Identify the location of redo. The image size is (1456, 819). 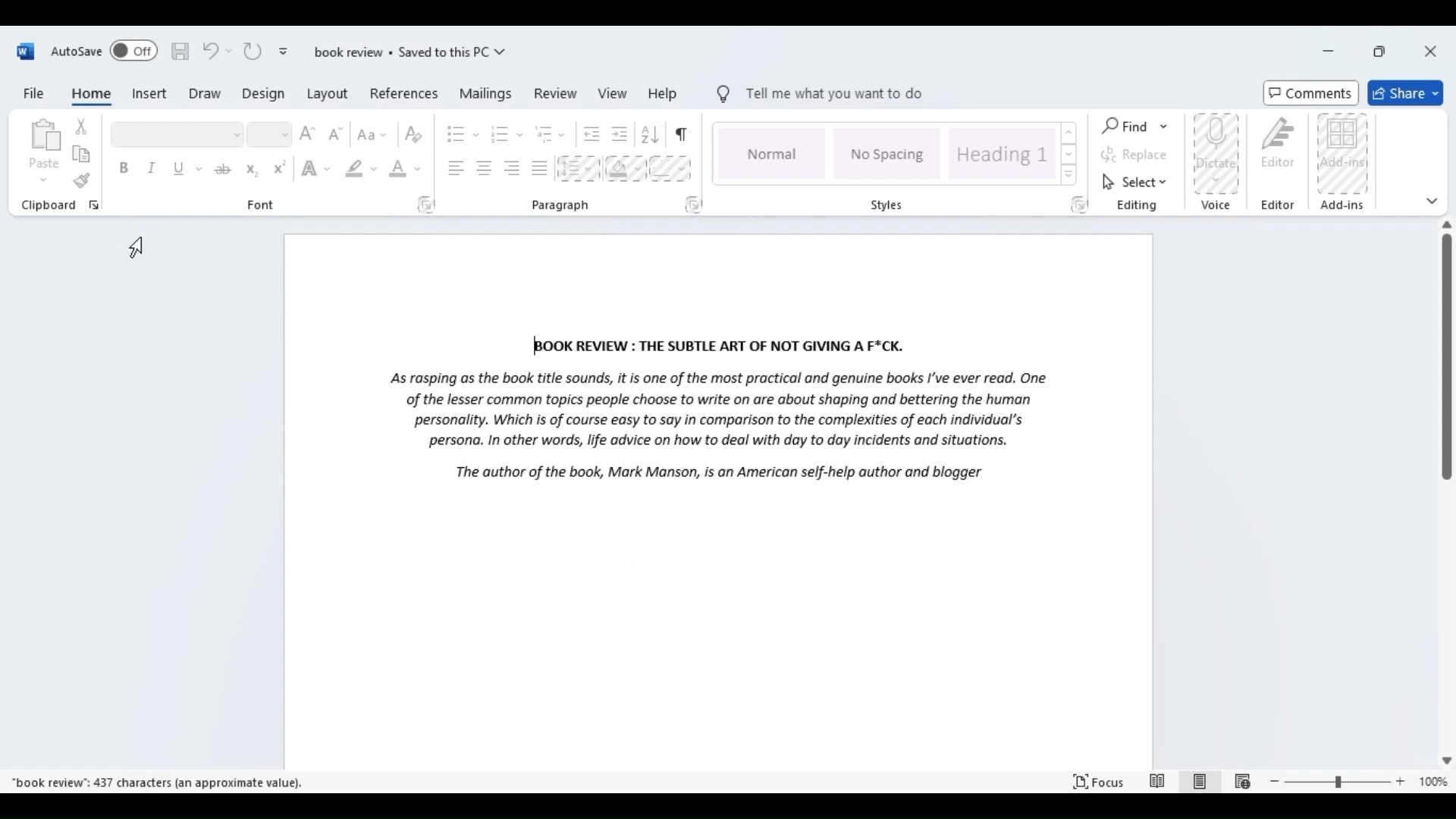
(253, 53).